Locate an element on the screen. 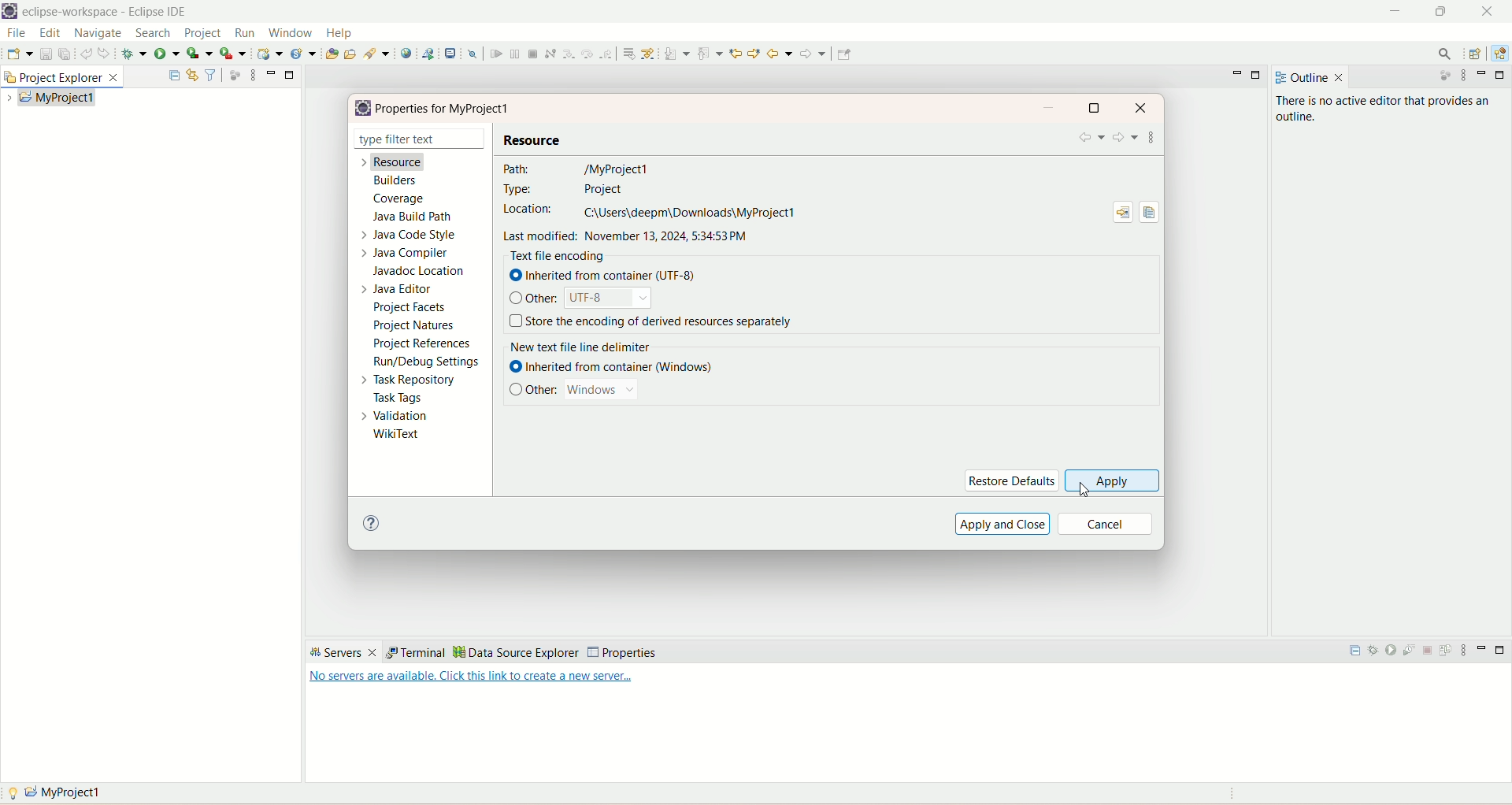 The height and width of the screenshot is (805, 1512). run settings is located at coordinates (424, 364).